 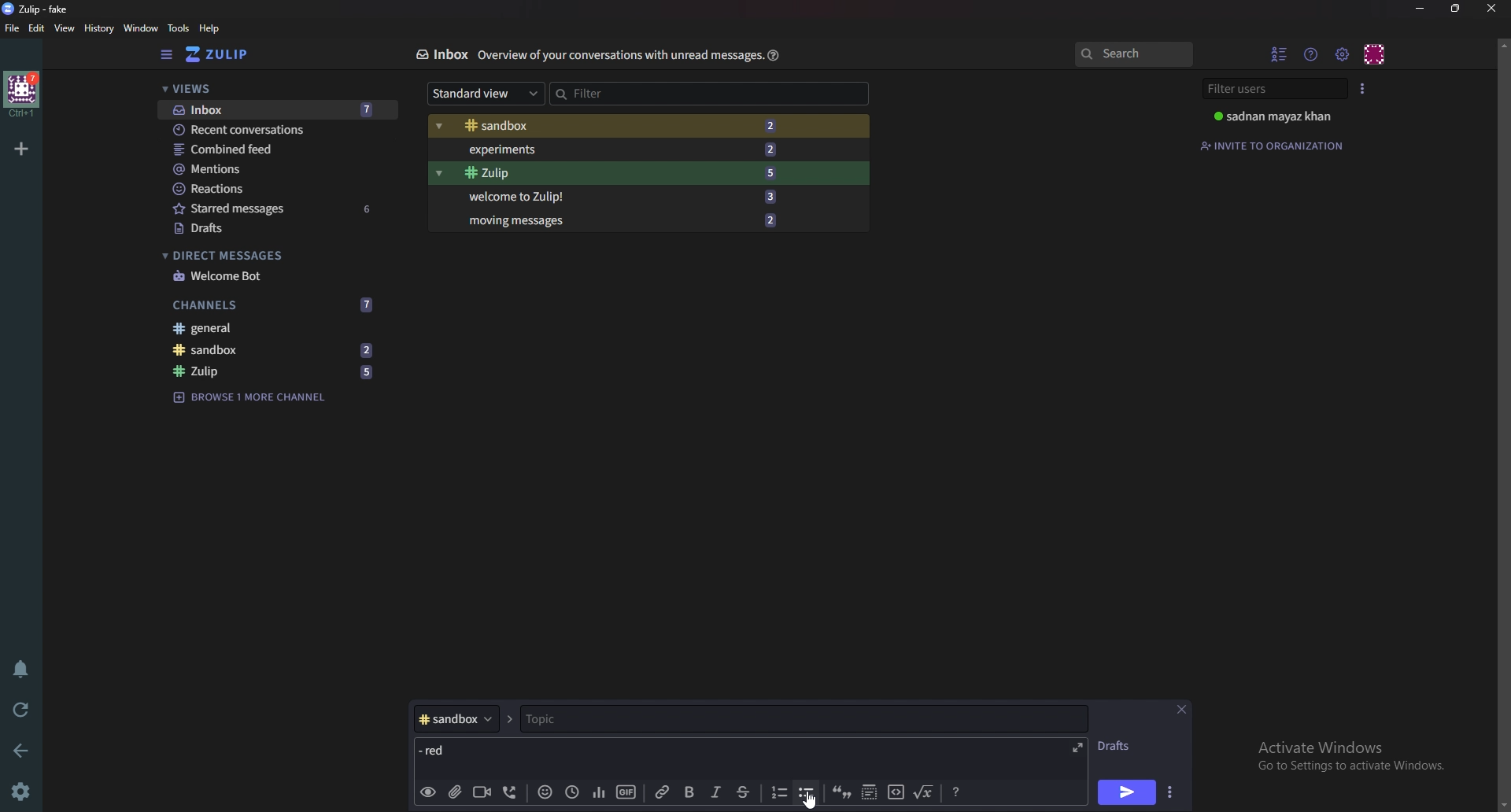 What do you see at coordinates (959, 790) in the screenshot?
I see `Message formatting` at bounding box center [959, 790].